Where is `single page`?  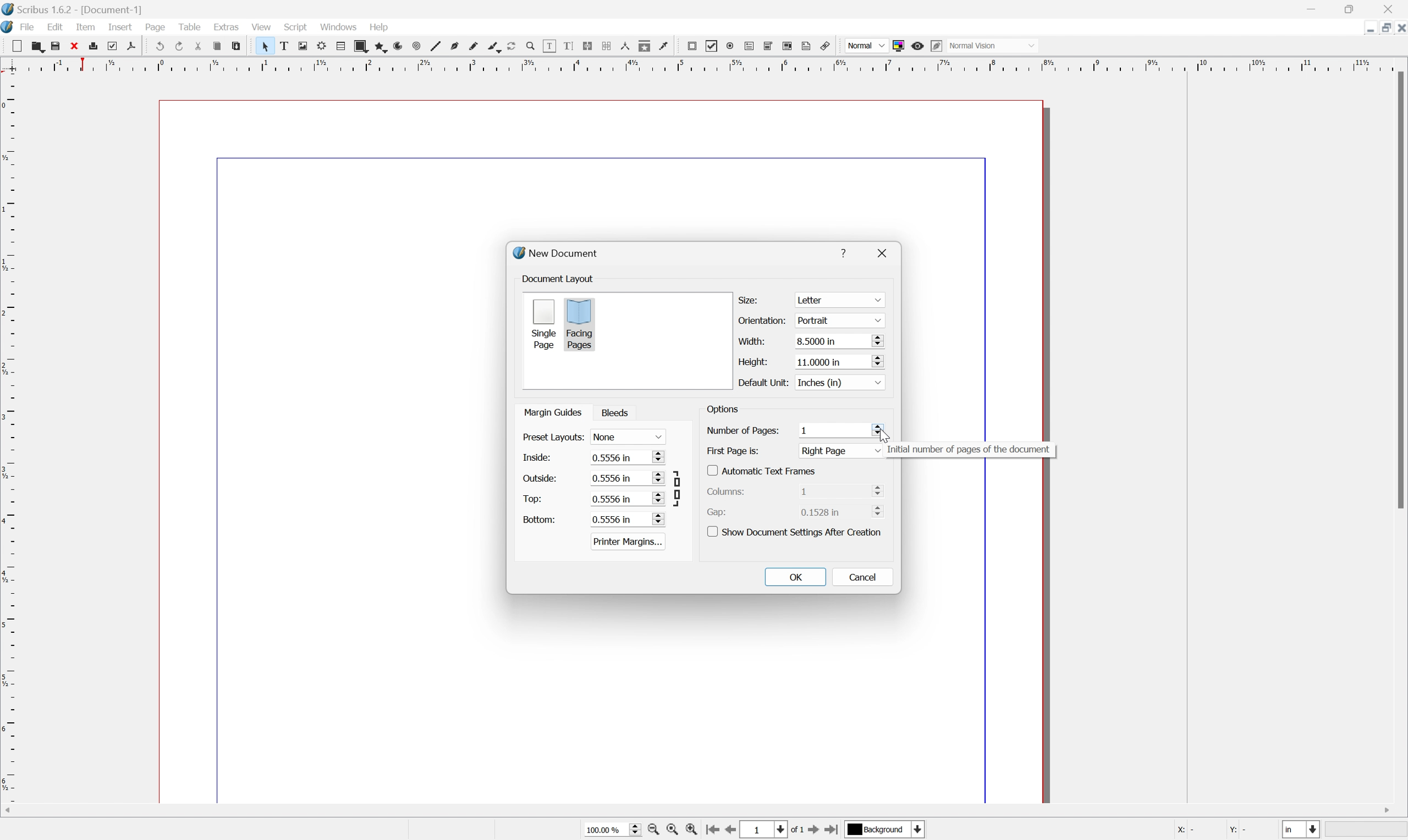 single page is located at coordinates (543, 323).